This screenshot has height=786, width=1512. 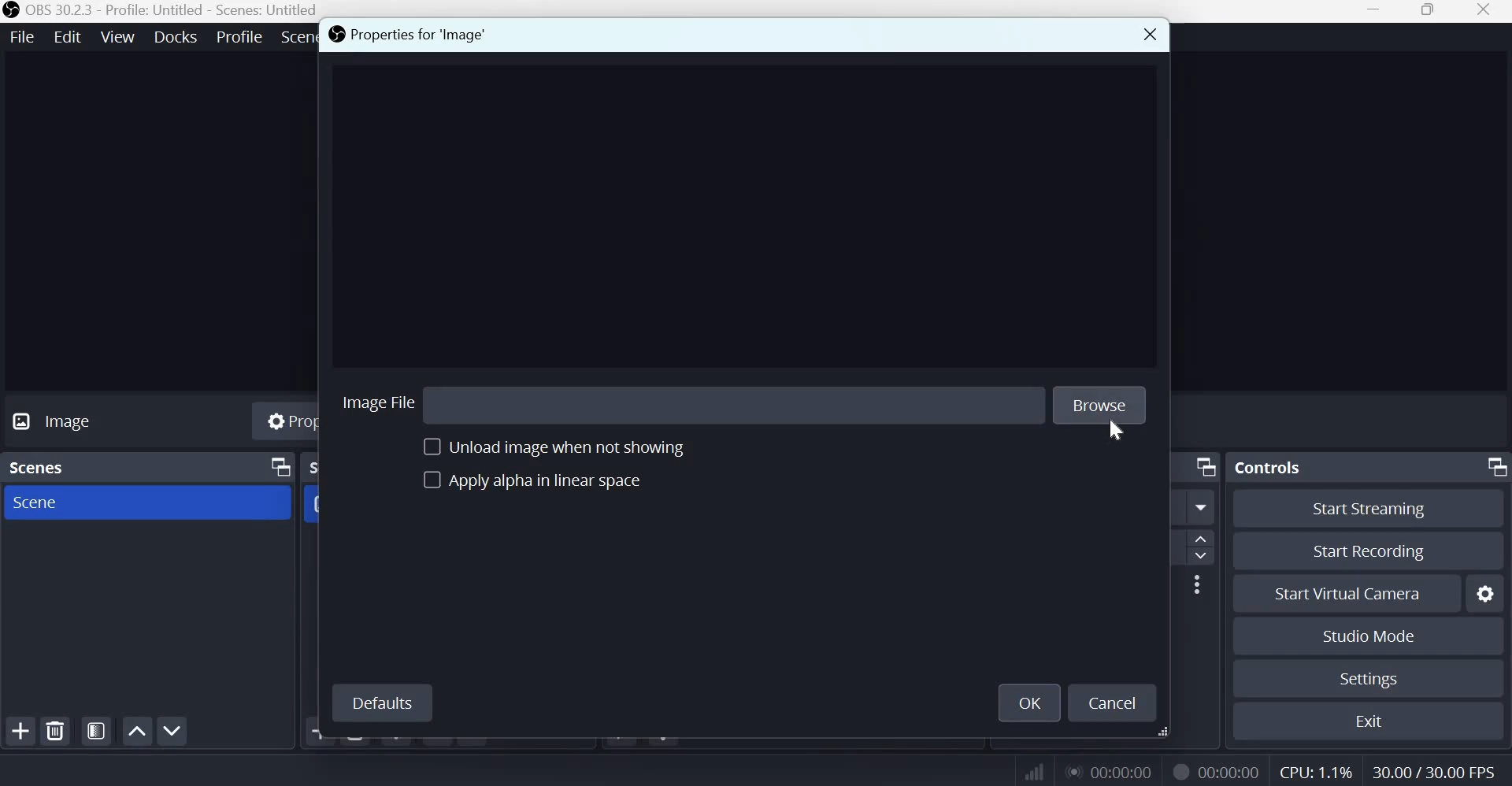 What do you see at coordinates (1098, 402) in the screenshot?
I see `Browse` at bounding box center [1098, 402].